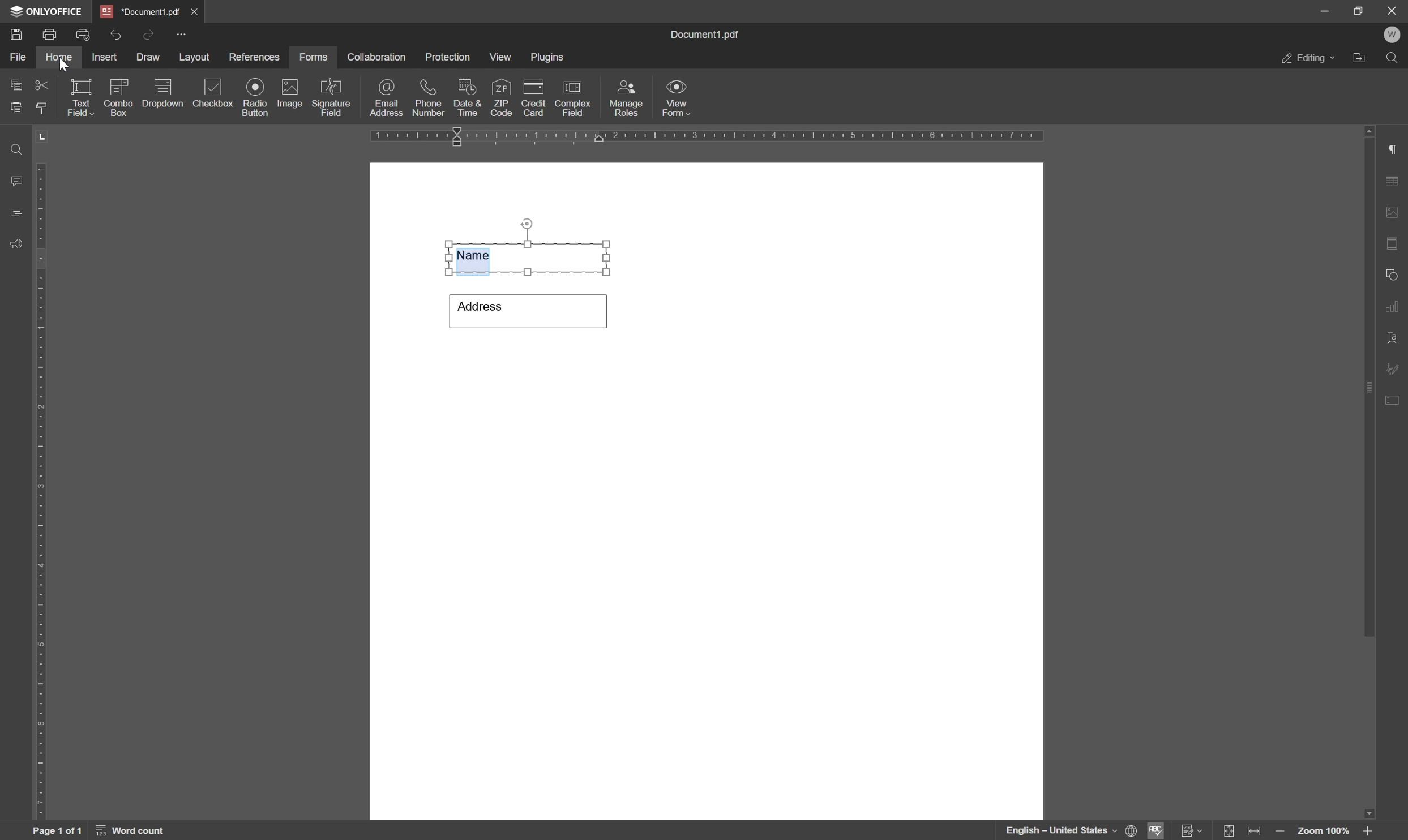 Image resolution: width=1408 pixels, height=840 pixels. Describe the element at coordinates (679, 98) in the screenshot. I see `view form` at that location.